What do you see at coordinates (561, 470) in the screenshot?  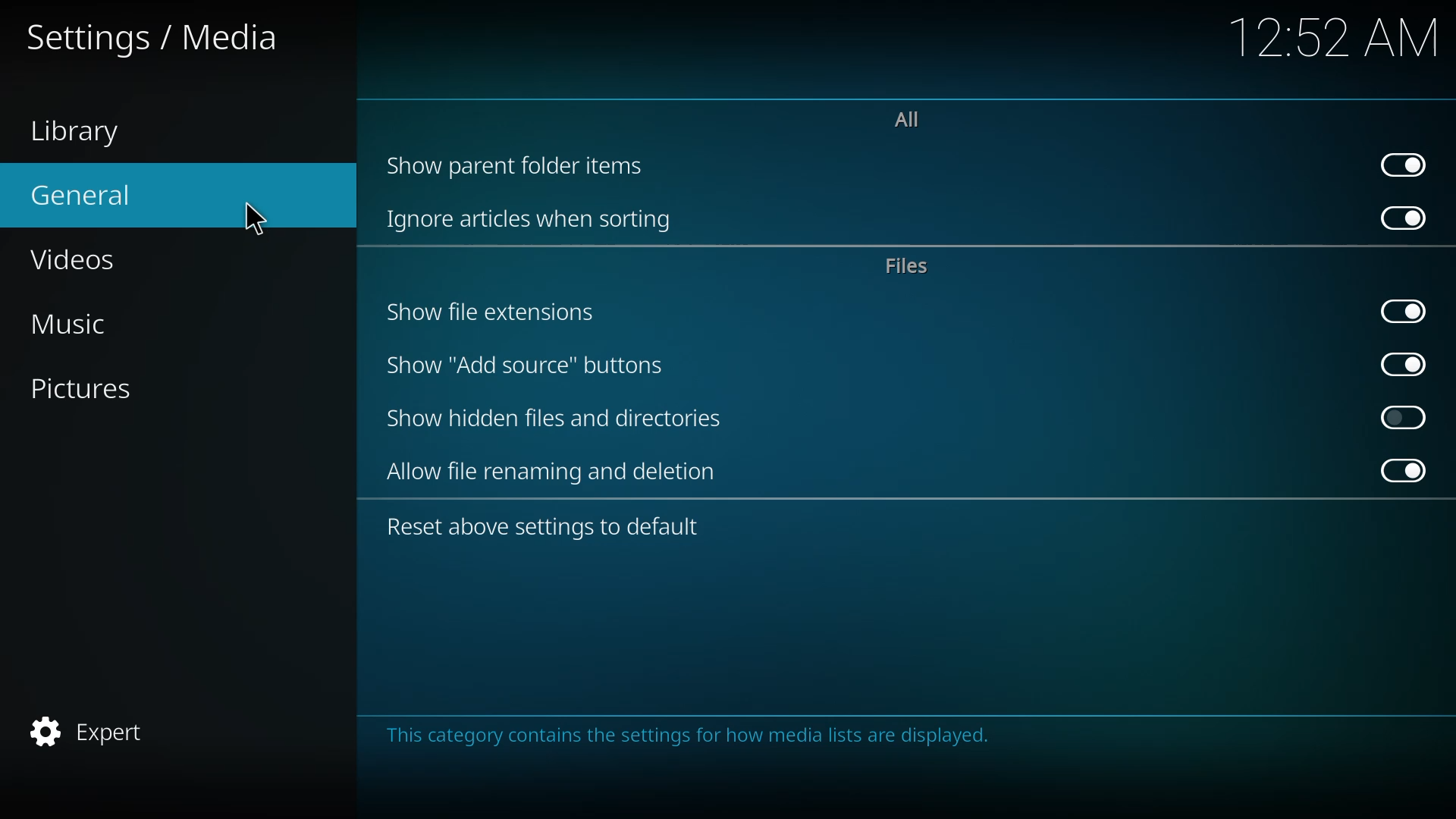 I see `allow file renaming and deletion` at bounding box center [561, 470].